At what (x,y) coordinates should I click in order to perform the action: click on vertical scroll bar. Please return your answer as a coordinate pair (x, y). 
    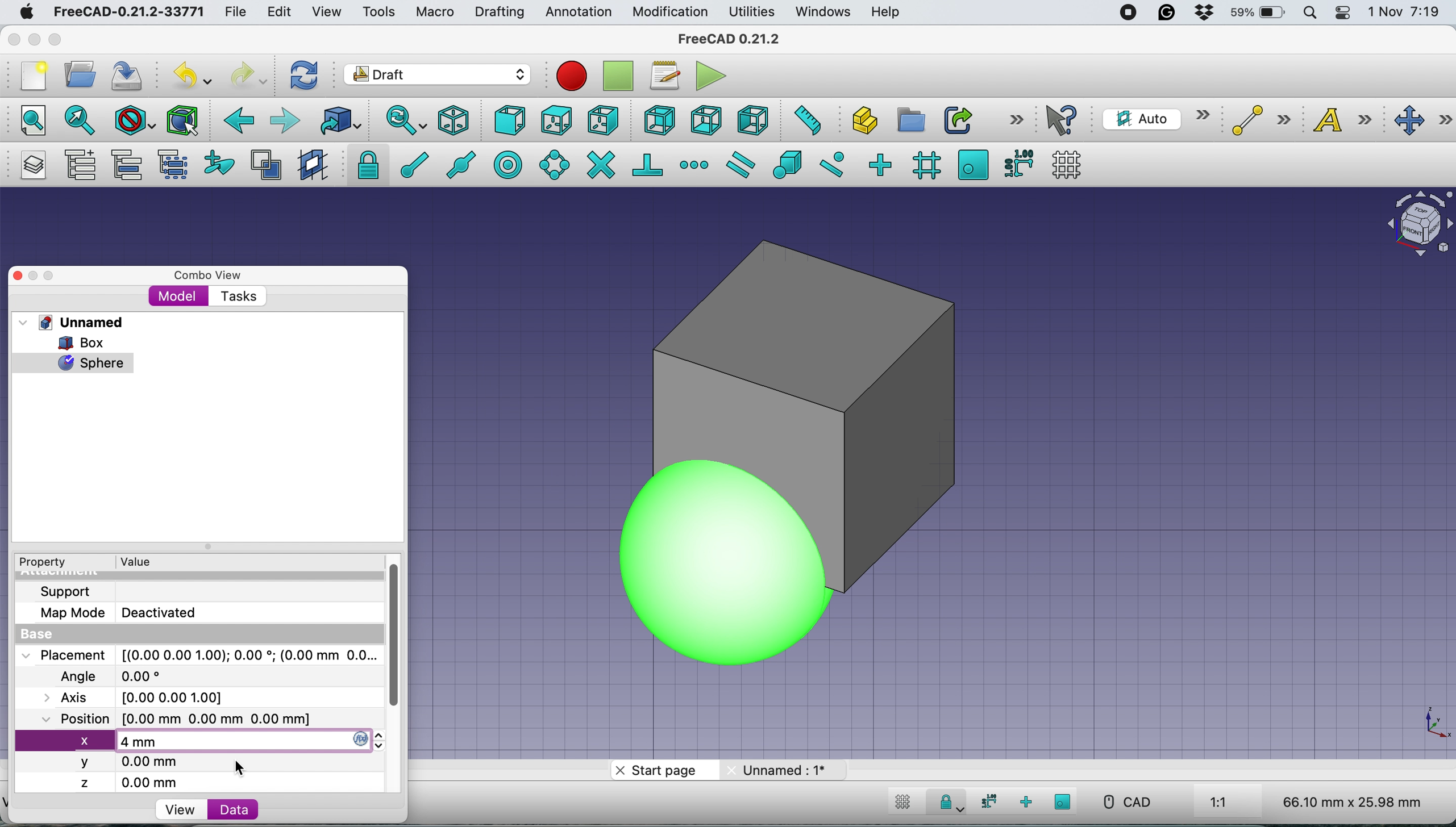
    Looking at the image, I should click on (403, 637).